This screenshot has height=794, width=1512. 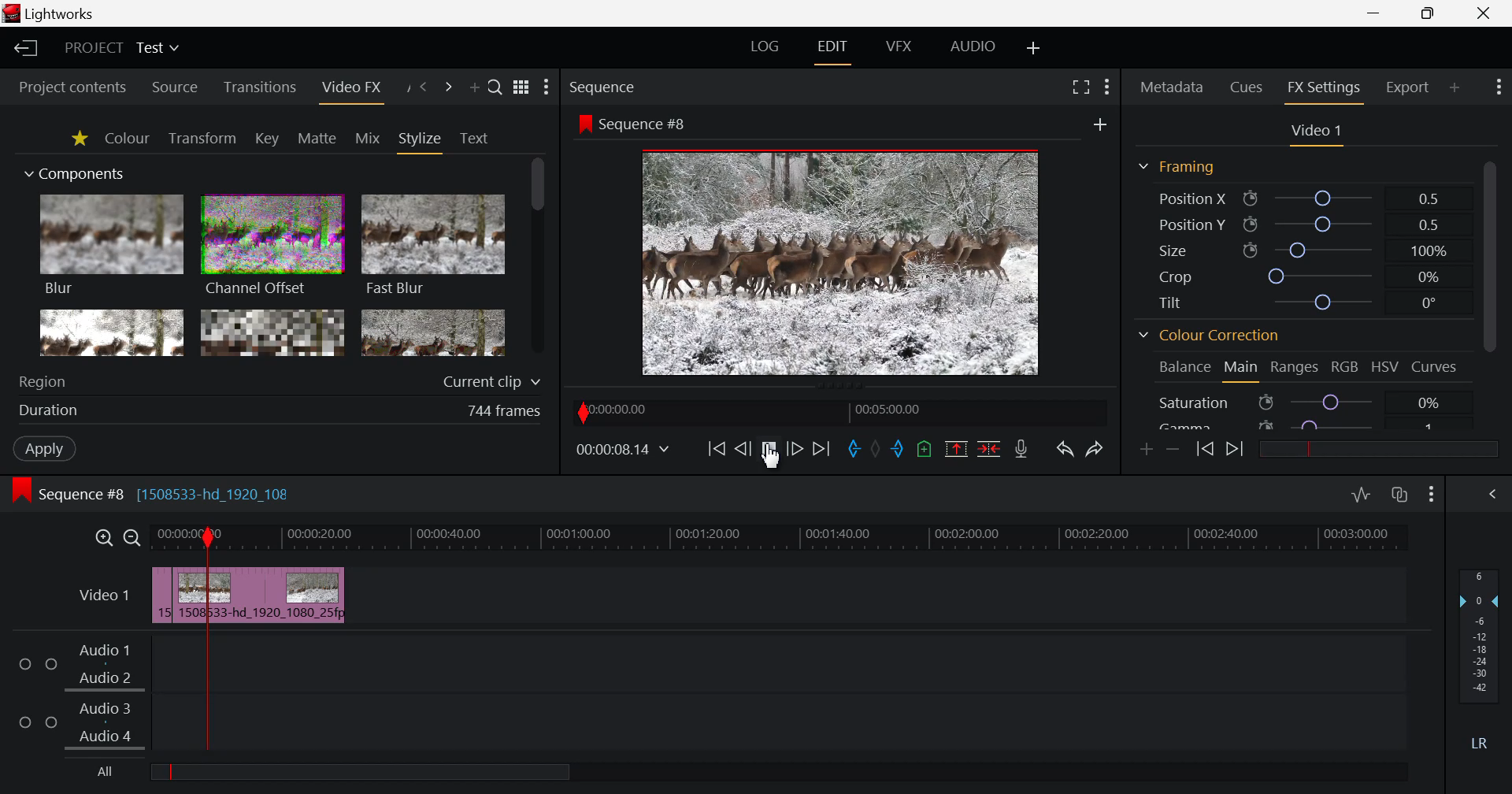 I want to click on Posterize, so click(x=433, y=335).